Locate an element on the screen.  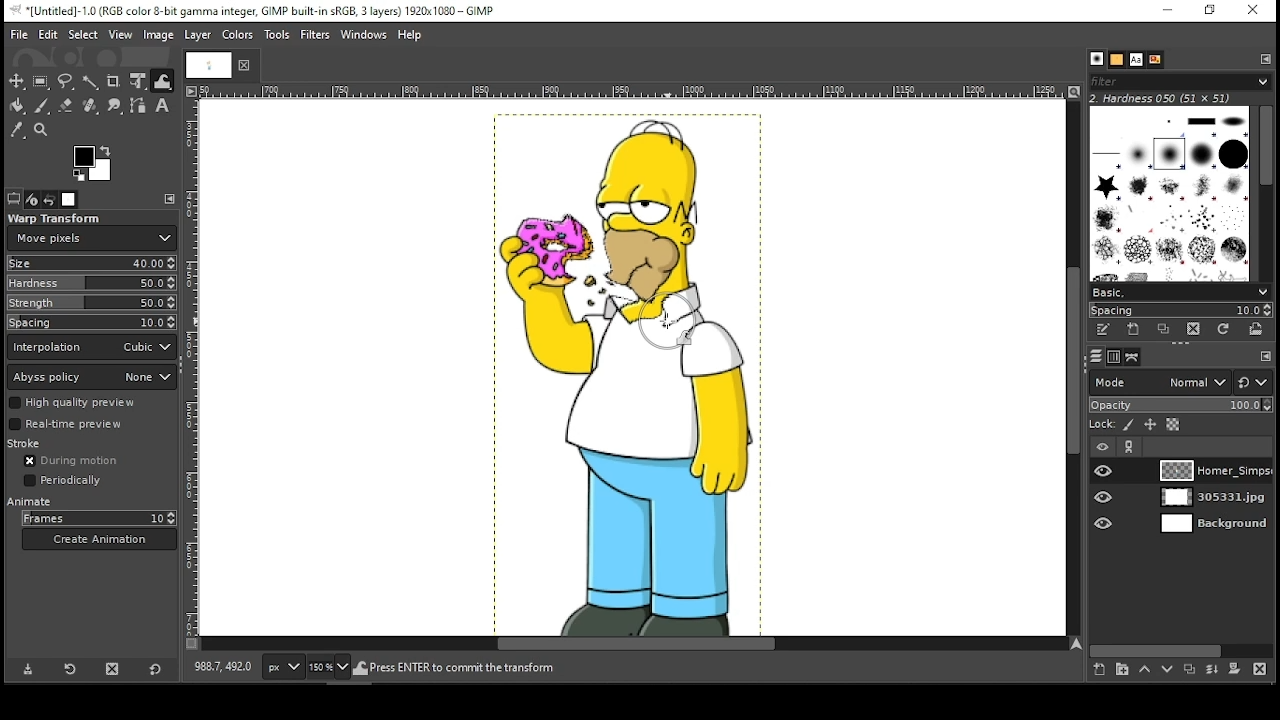
basic is located at coordinates (1181, 293).